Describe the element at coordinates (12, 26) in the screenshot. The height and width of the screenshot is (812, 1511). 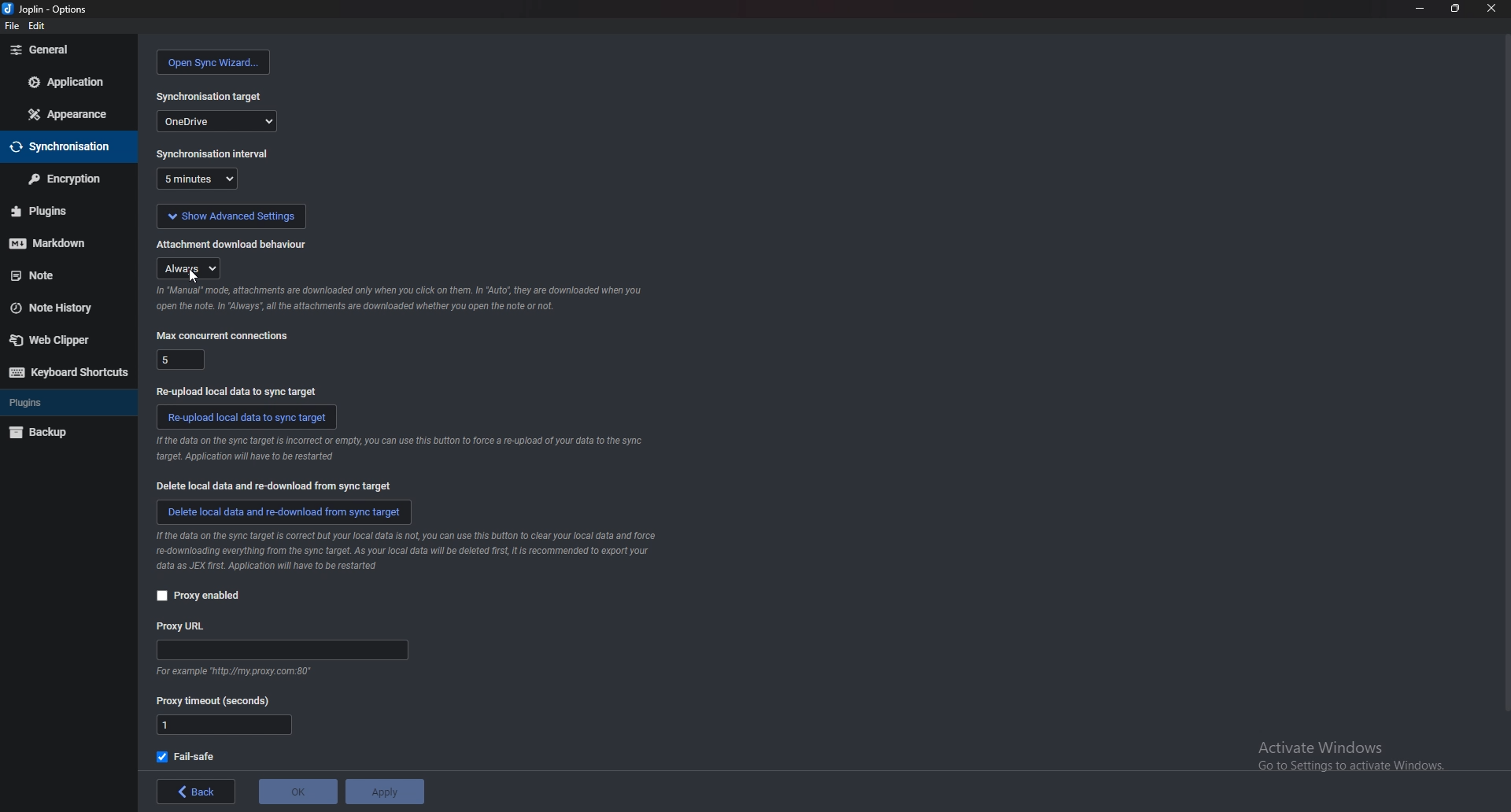
I see `file` at that location.